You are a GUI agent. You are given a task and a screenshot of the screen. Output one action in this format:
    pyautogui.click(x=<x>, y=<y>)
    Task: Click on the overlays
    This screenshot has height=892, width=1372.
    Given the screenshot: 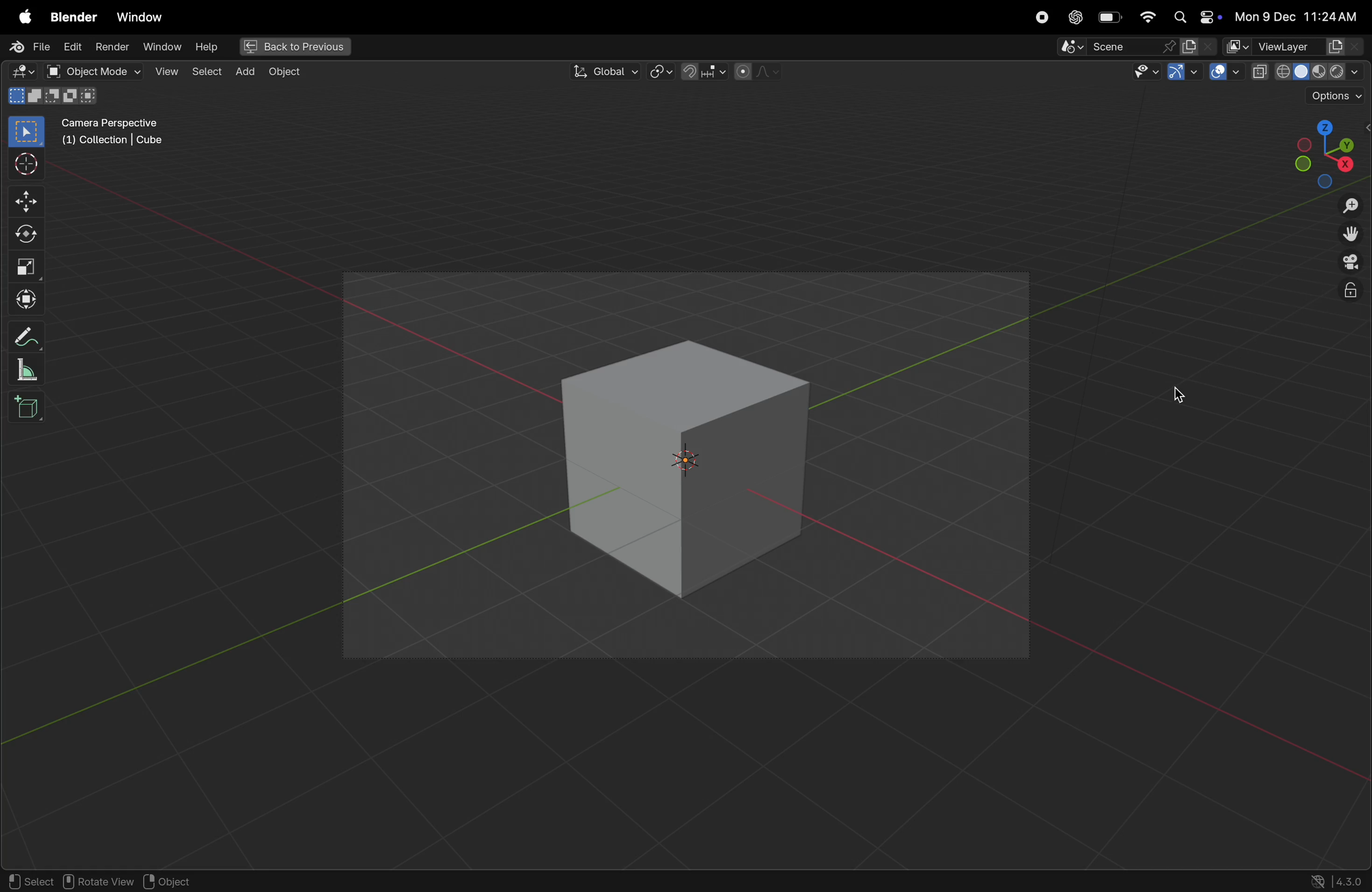 What is the action you would take?
    pyautogui.click(x=1225, y=71)
    